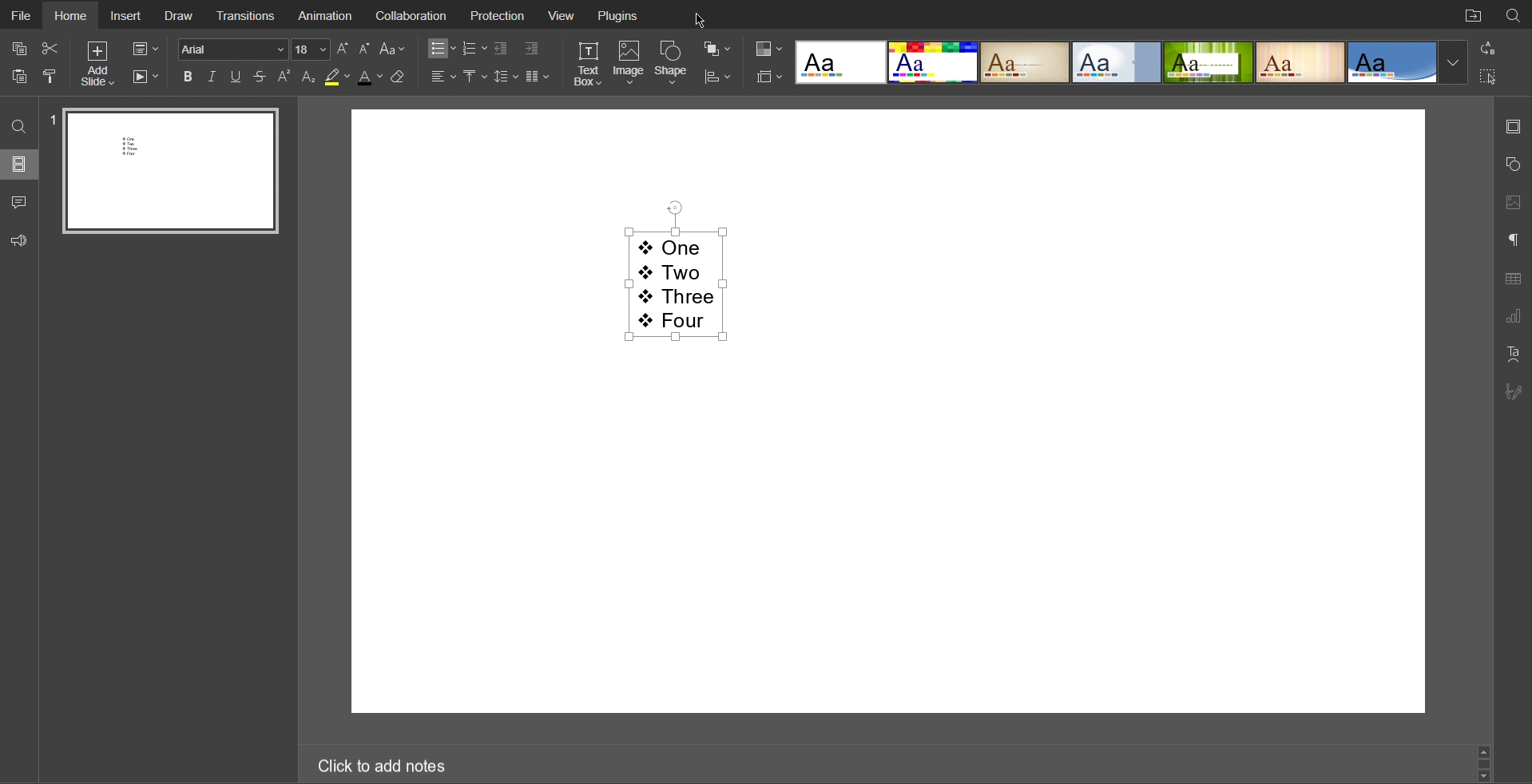 The width and height of the screenshot is (1532, 784). I want to click on Search, so click(18, 125).